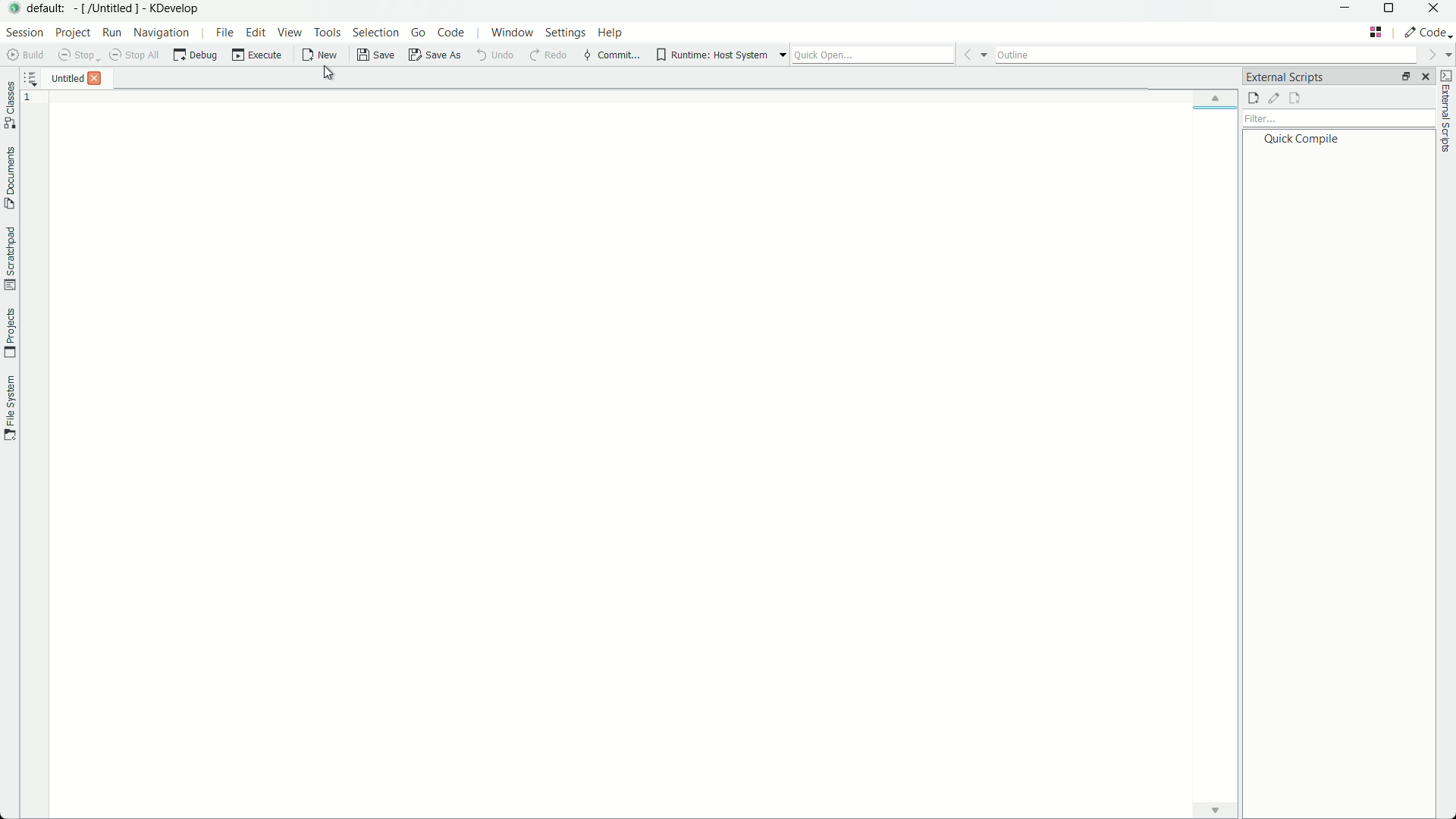  What do you see at coordinates (71, 33) in the screenshot?
I see `project menu` at bounding box center [71, 33].